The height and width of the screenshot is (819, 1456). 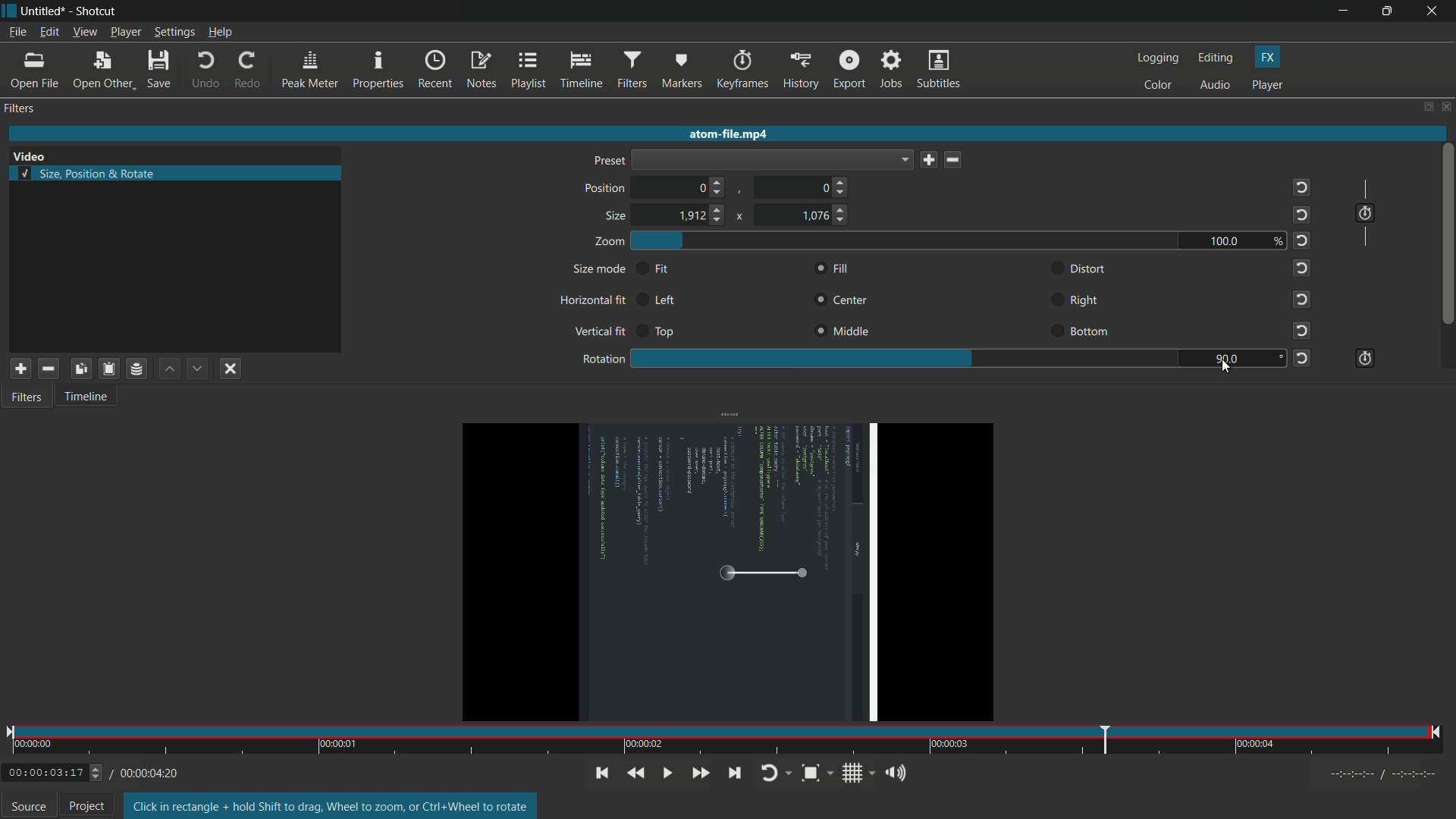 What do you see at coordinates (50, 773) in the screenshot?
I see `/00:00:03:17` at bounding box center [50, 773].